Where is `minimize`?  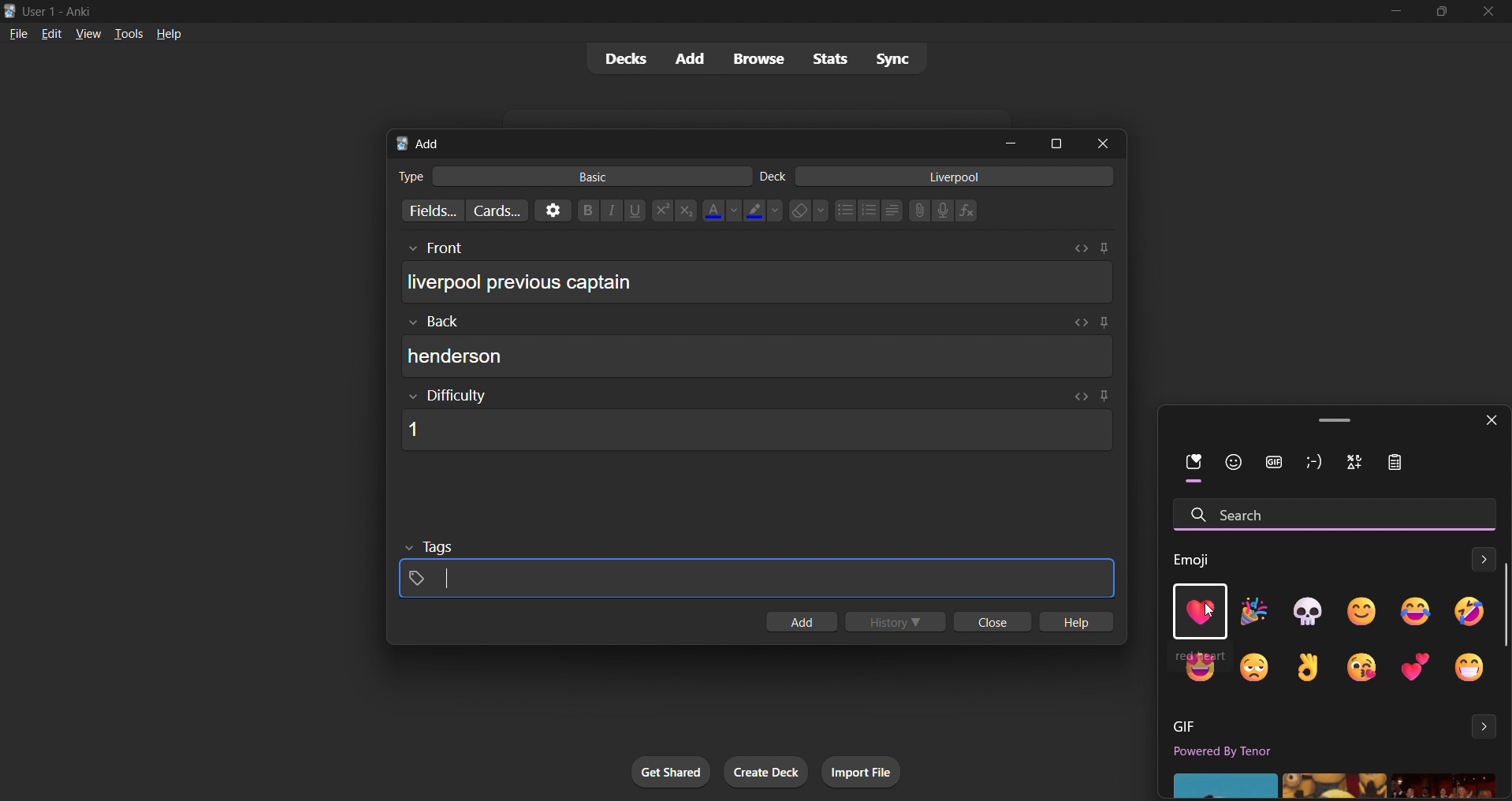 minimize is located at coordinates (1393, 13).